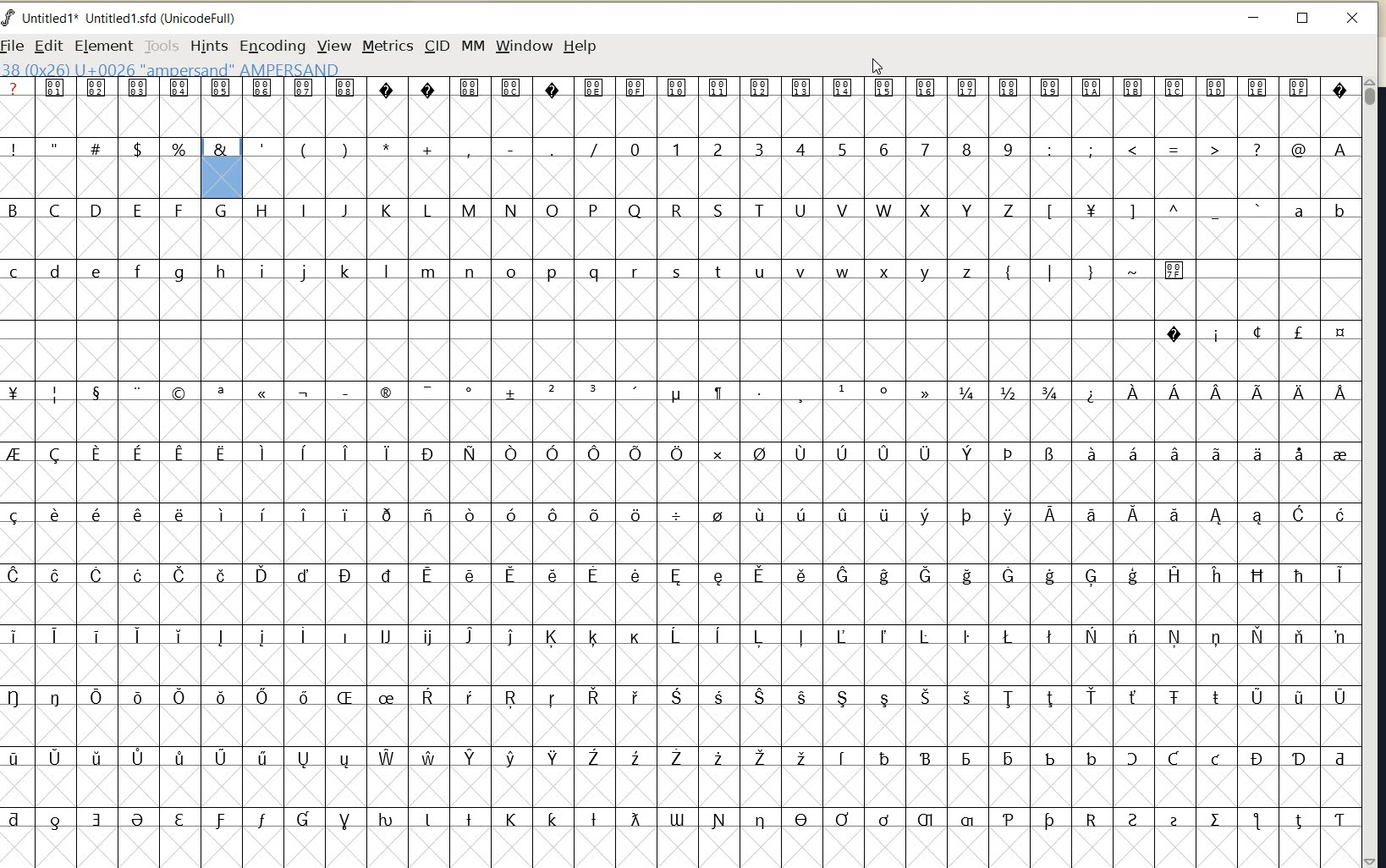 Image resolution: width=1386 pixels, height=868 pixels. What do you see at coordinates (386, 47) in the screenshot?
I see `METRICS` at bounding box center [386, 47].